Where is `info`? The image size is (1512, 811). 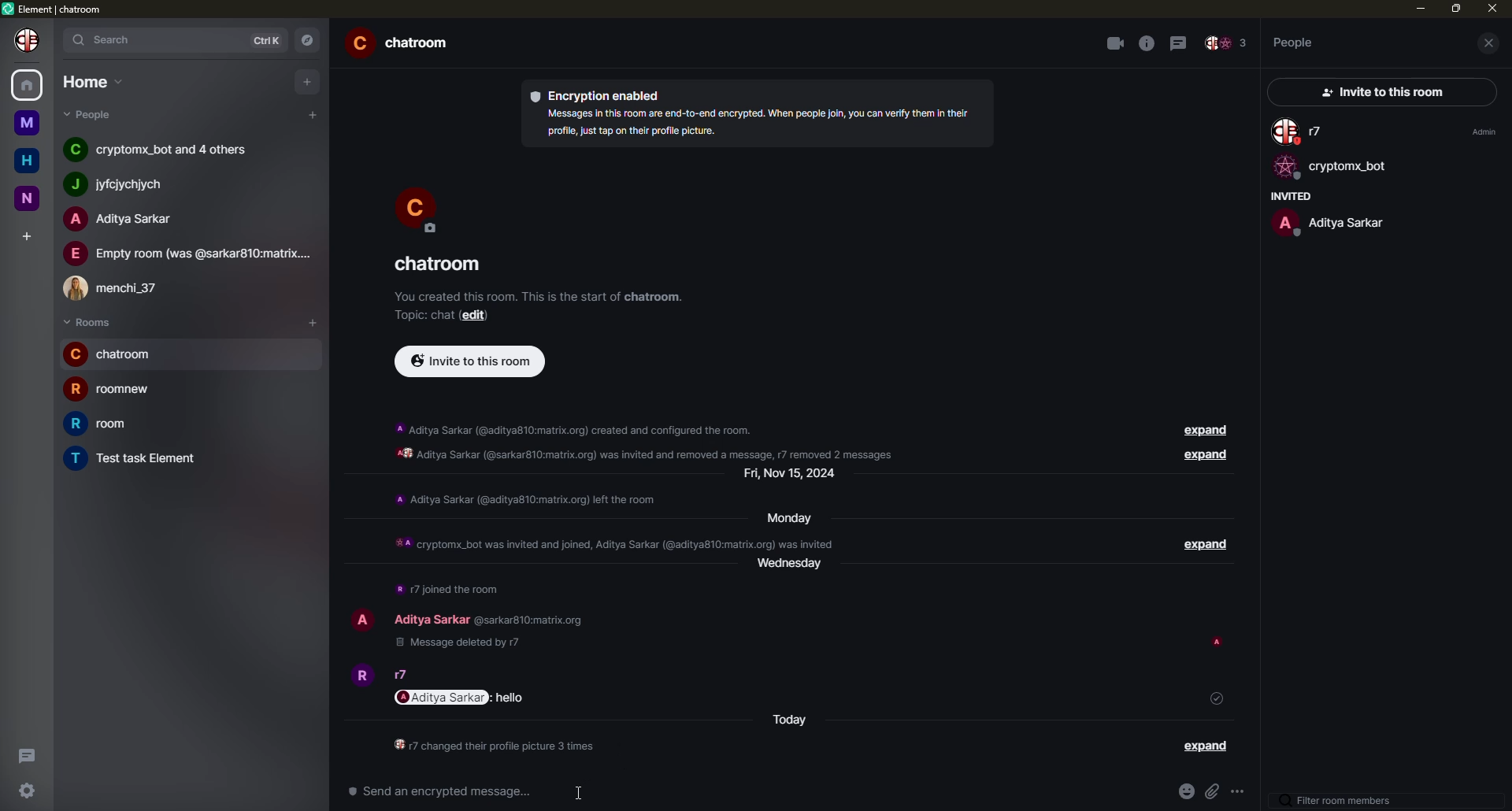
info is located at coordinates (613, 542).